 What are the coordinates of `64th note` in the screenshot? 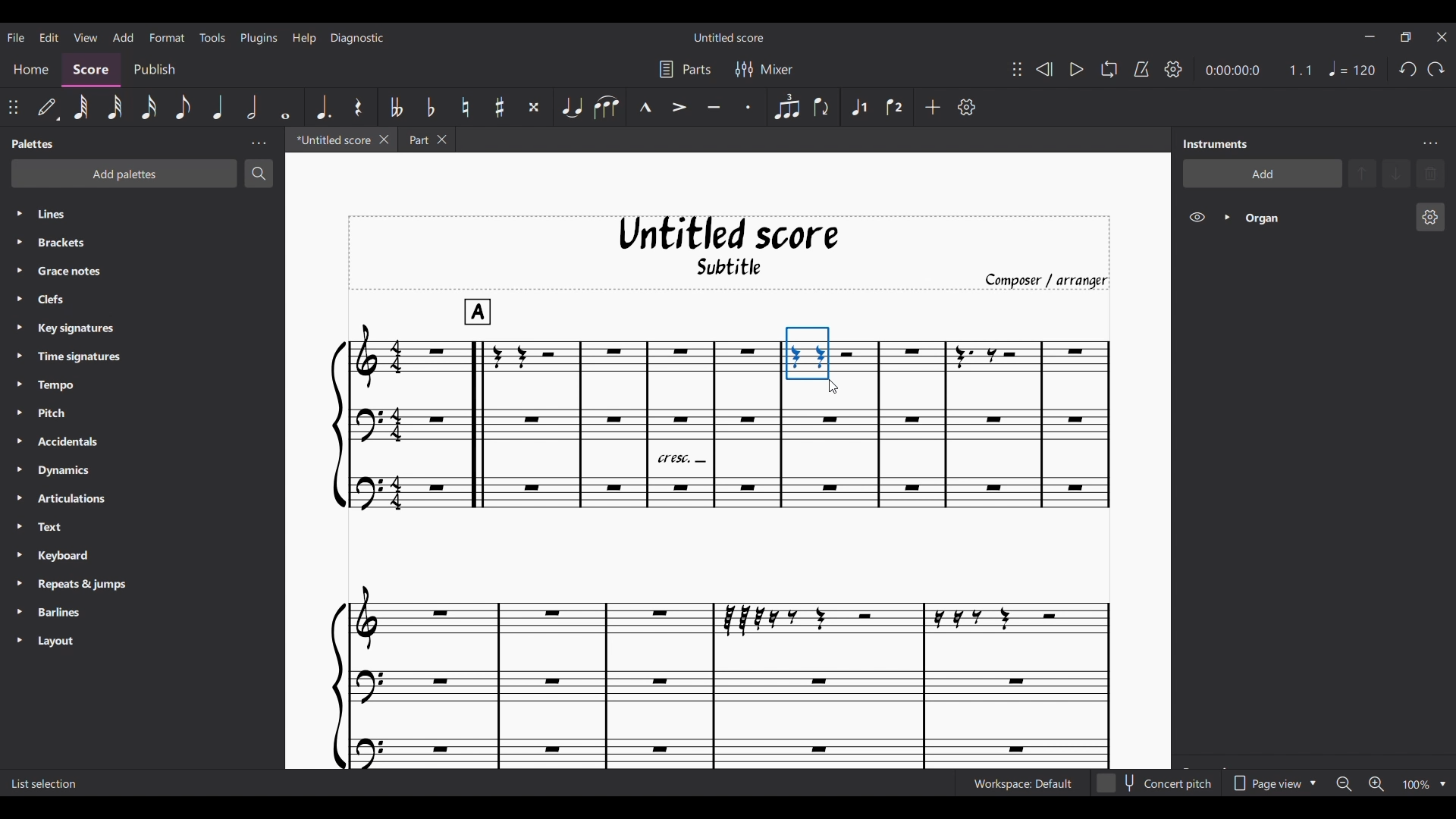 It's located at (80, 108).